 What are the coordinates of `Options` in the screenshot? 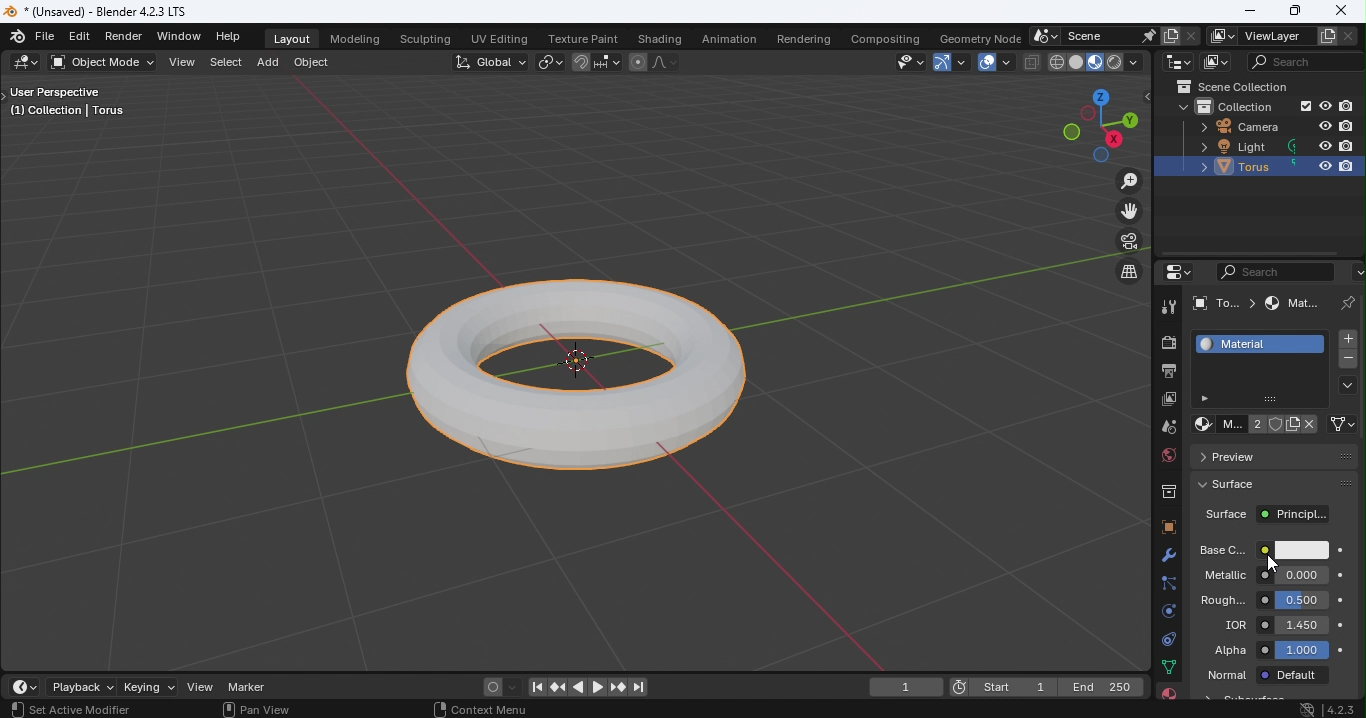 It's located at (1357, 271).